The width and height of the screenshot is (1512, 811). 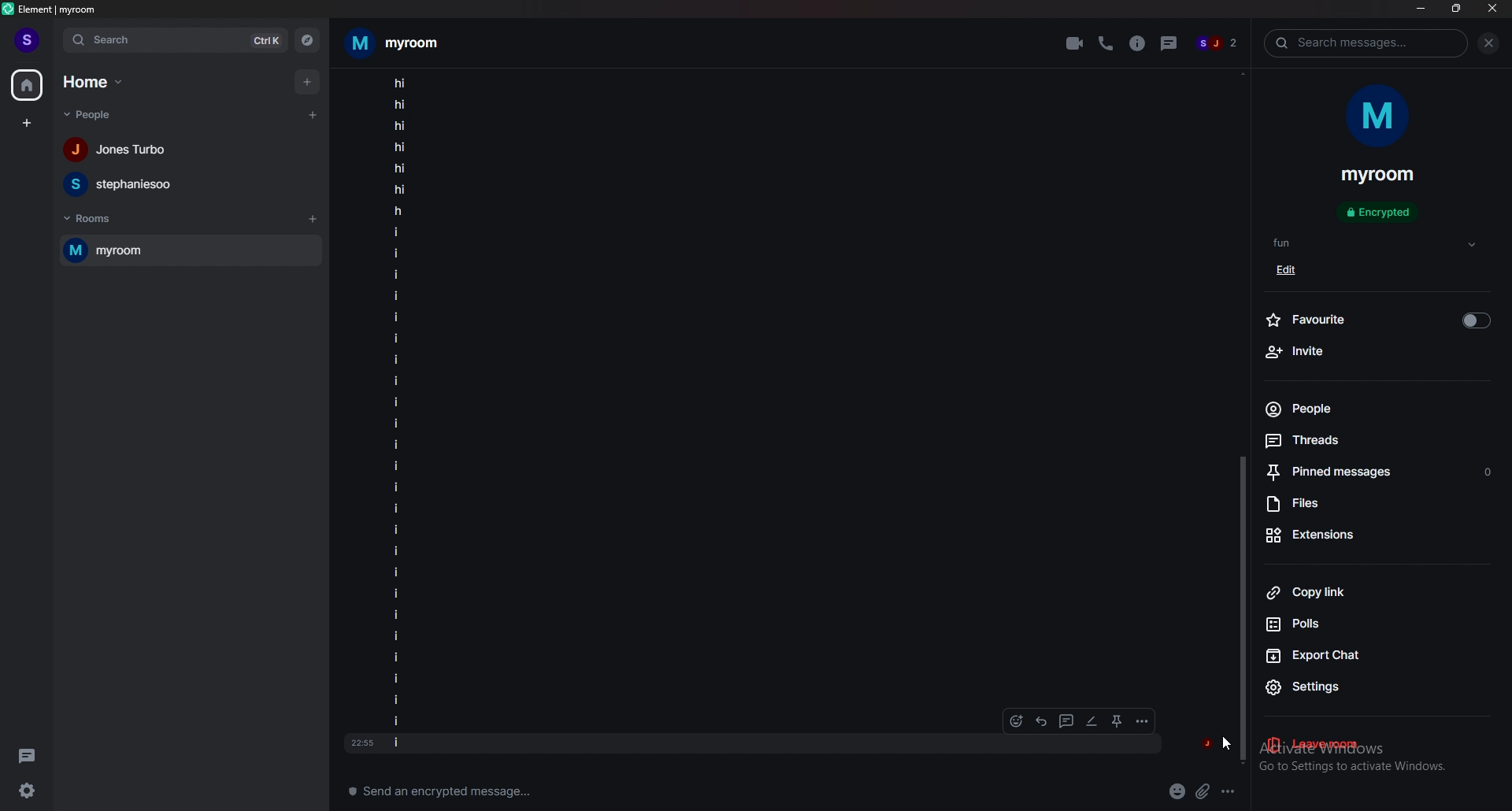 I want to click on start chat, so click(x=312, y=116).